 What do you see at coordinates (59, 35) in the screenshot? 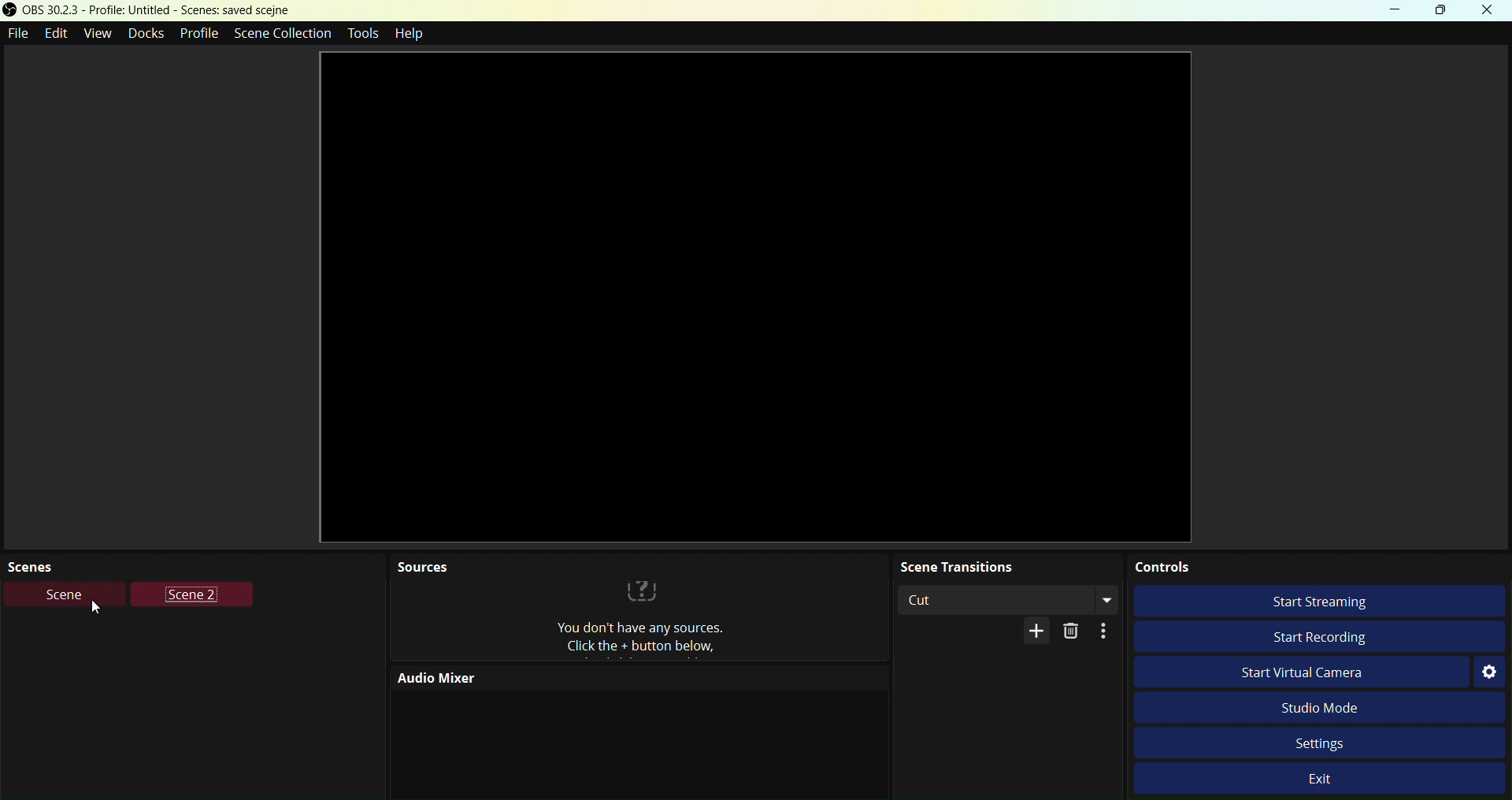
I see `Edit` at bounding box center [59, 35].